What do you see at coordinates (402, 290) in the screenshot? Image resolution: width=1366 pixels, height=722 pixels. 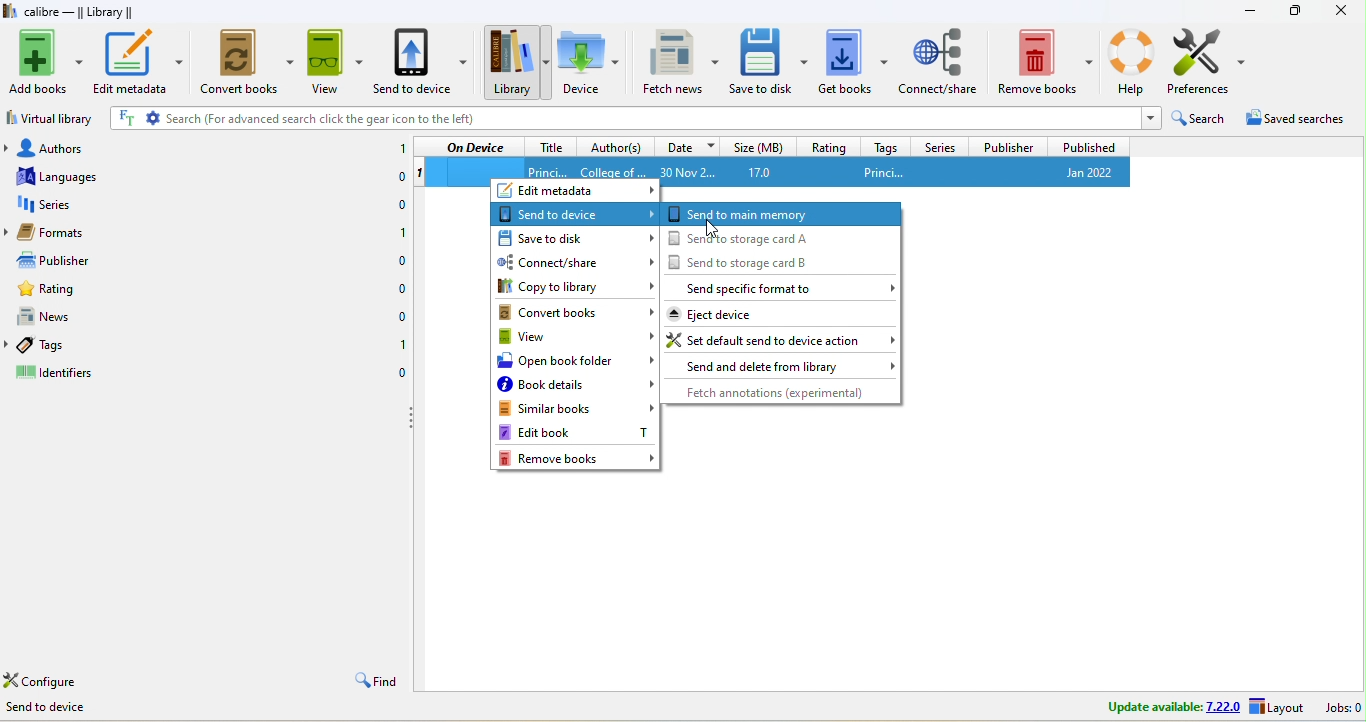 I see `0` at bounding box center [402, 290].